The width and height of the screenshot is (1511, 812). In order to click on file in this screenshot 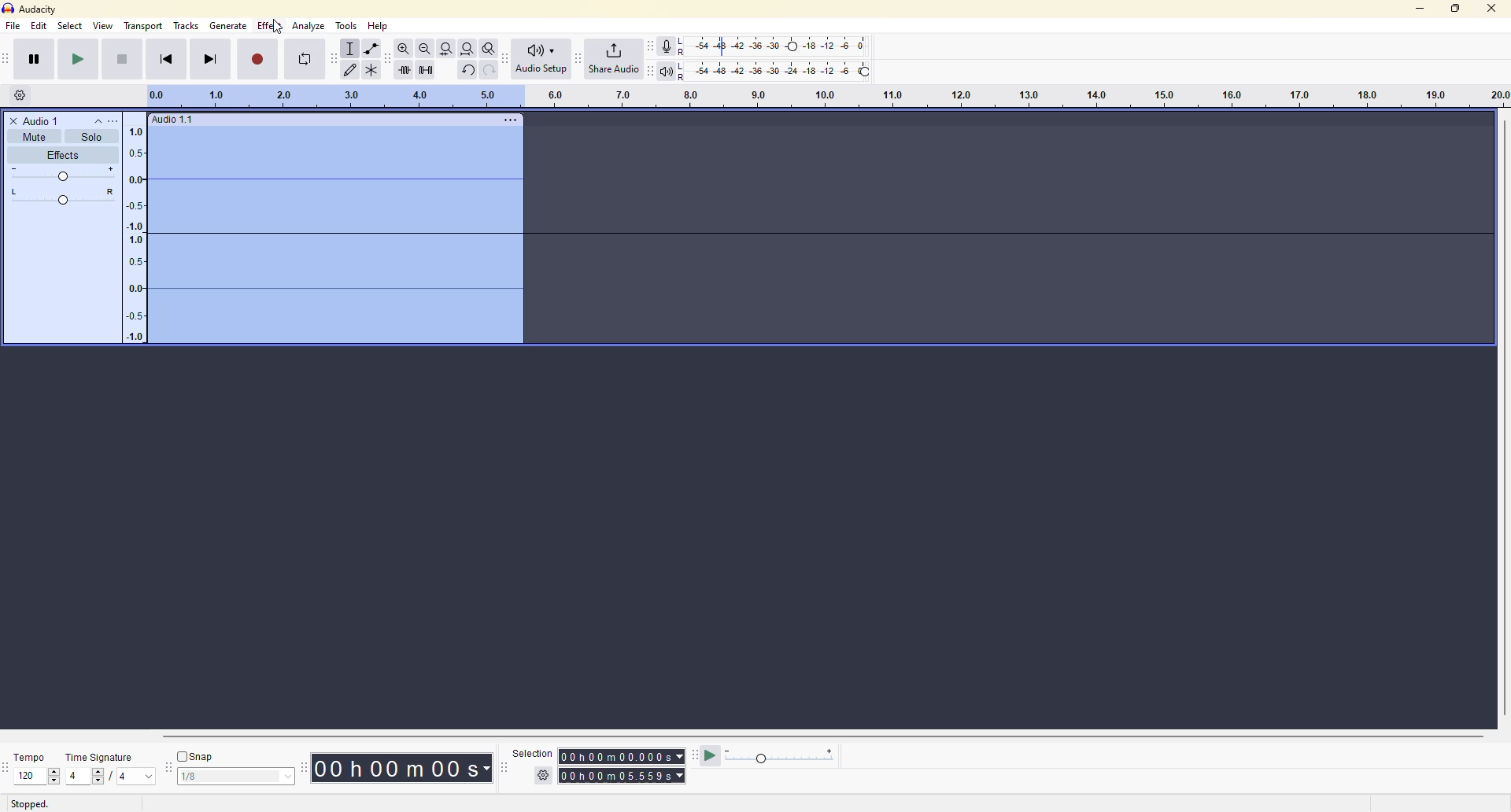, I will do `click(13, 26)`.